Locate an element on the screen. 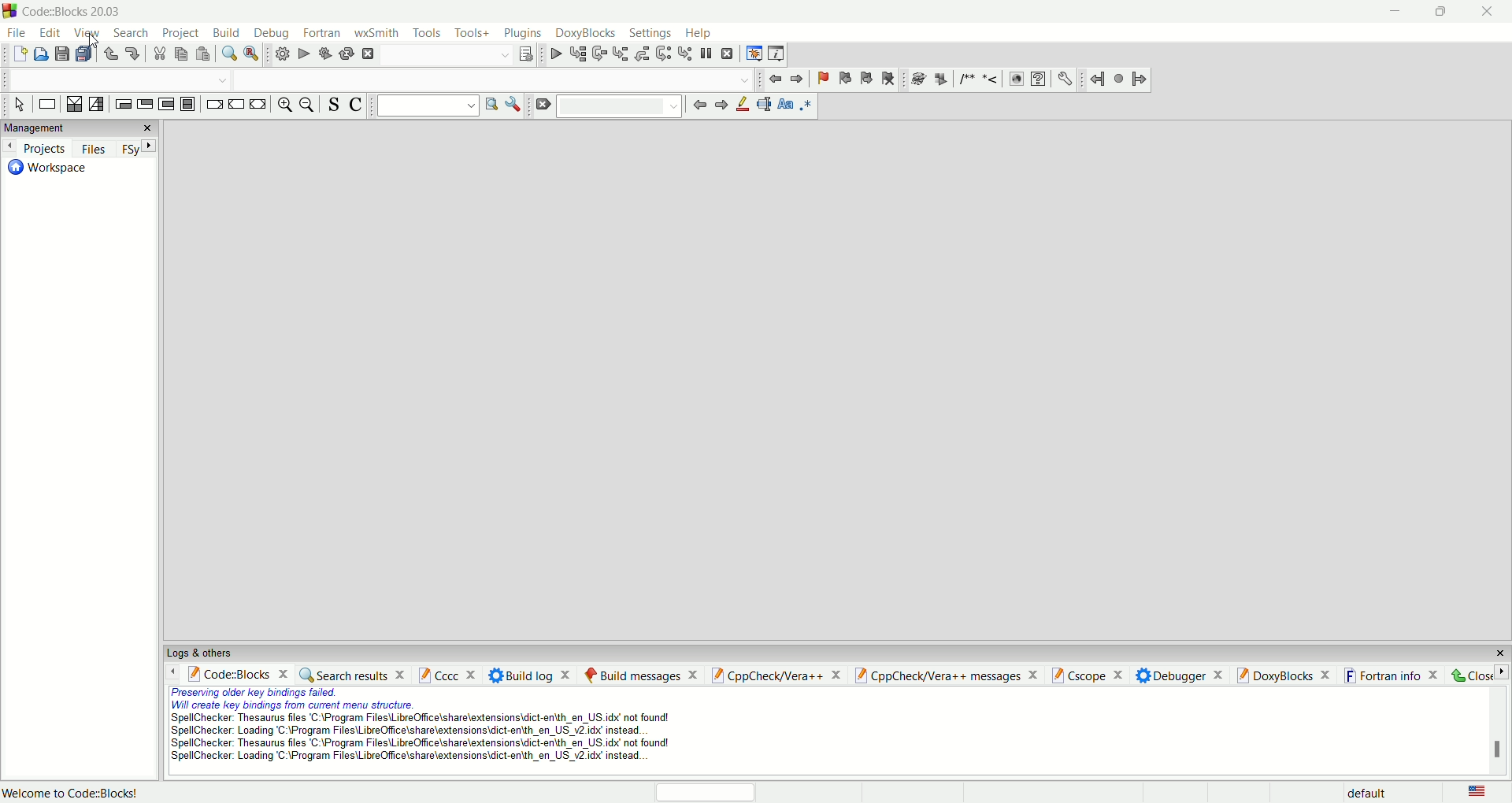 Image resolution: width=1512 pixels, height=803 pixels. find is located at coordinates (228, 54).